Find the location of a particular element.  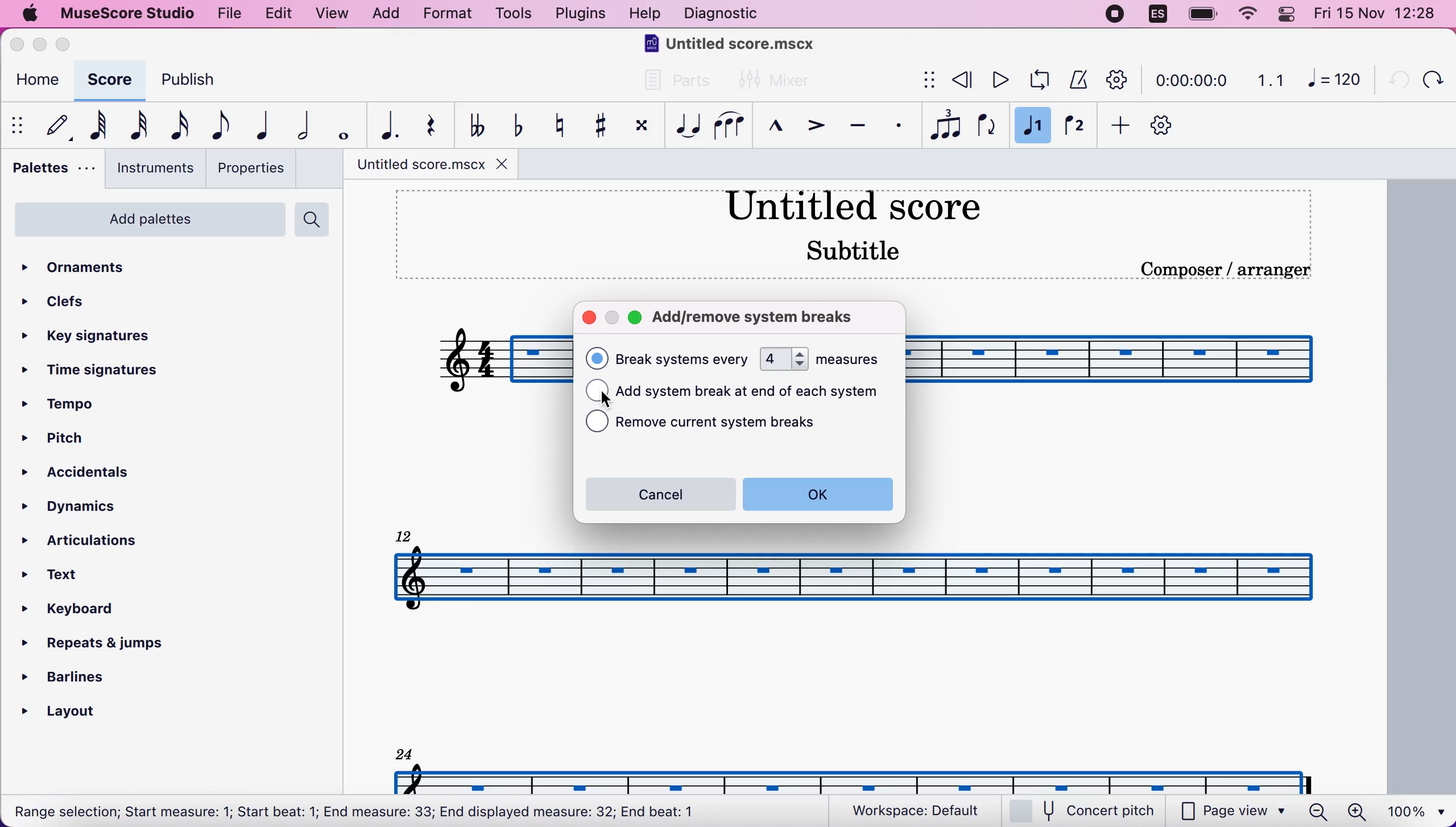

title is located at coordinates (734, 46).